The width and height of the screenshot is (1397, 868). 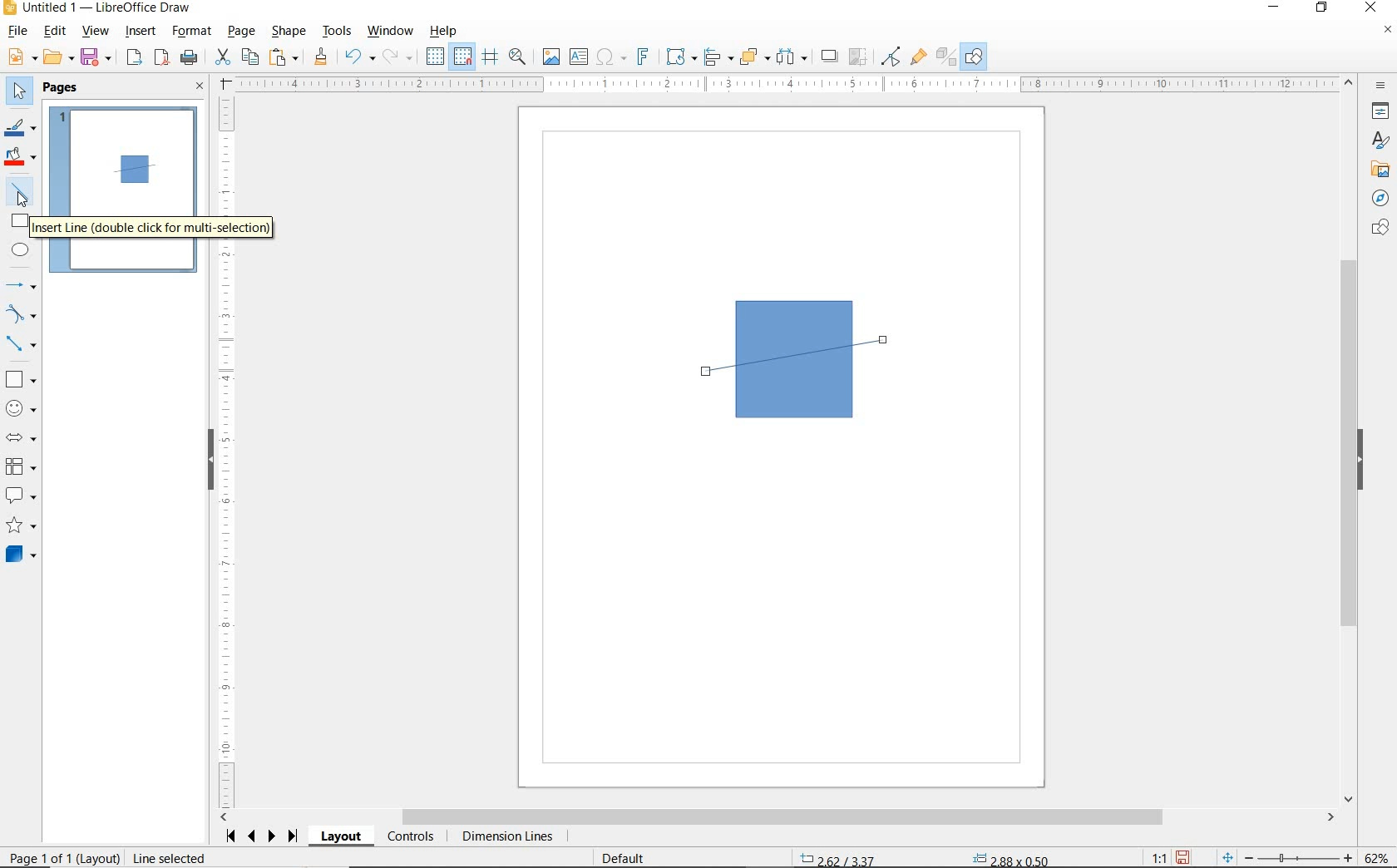 What do you see at coordinates (284, 57) in the screenshot?
I see `PASTE` at bounding box center [284, 57].